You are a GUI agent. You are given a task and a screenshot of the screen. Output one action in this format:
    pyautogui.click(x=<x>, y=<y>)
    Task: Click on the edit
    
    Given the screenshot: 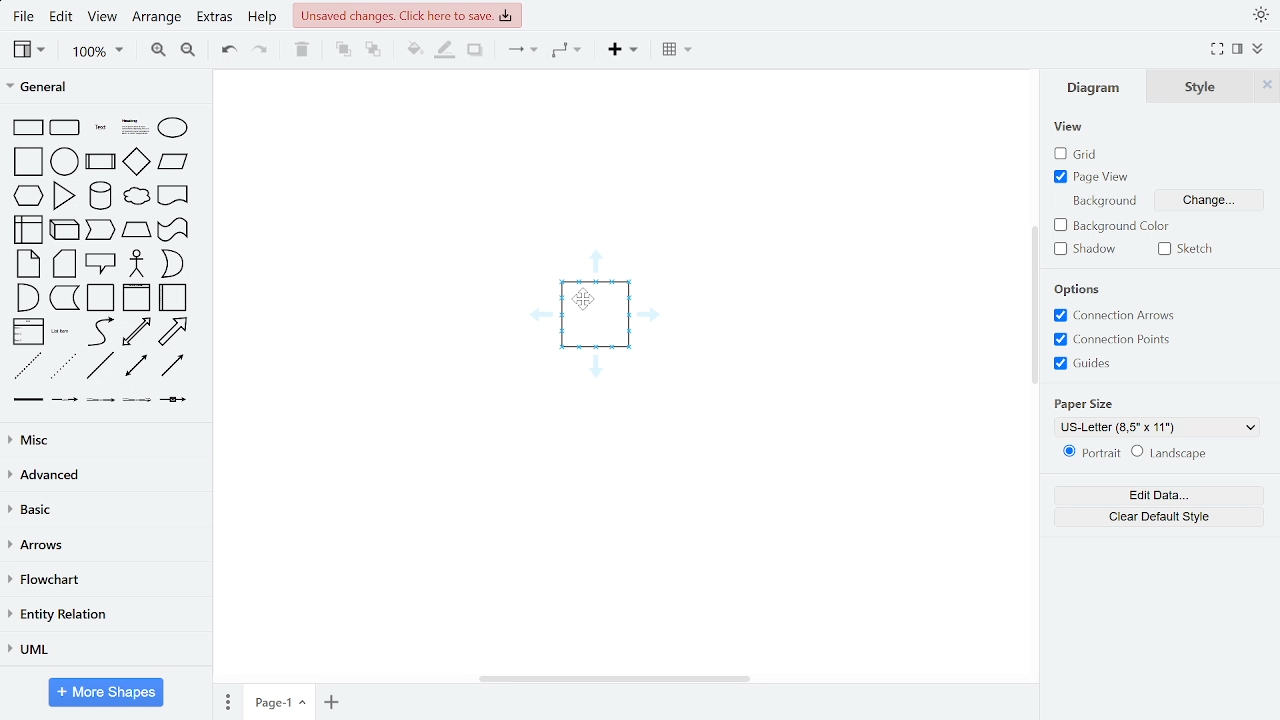 What is the action you would take?
    pyautogui.click(x=59, y=17)
    